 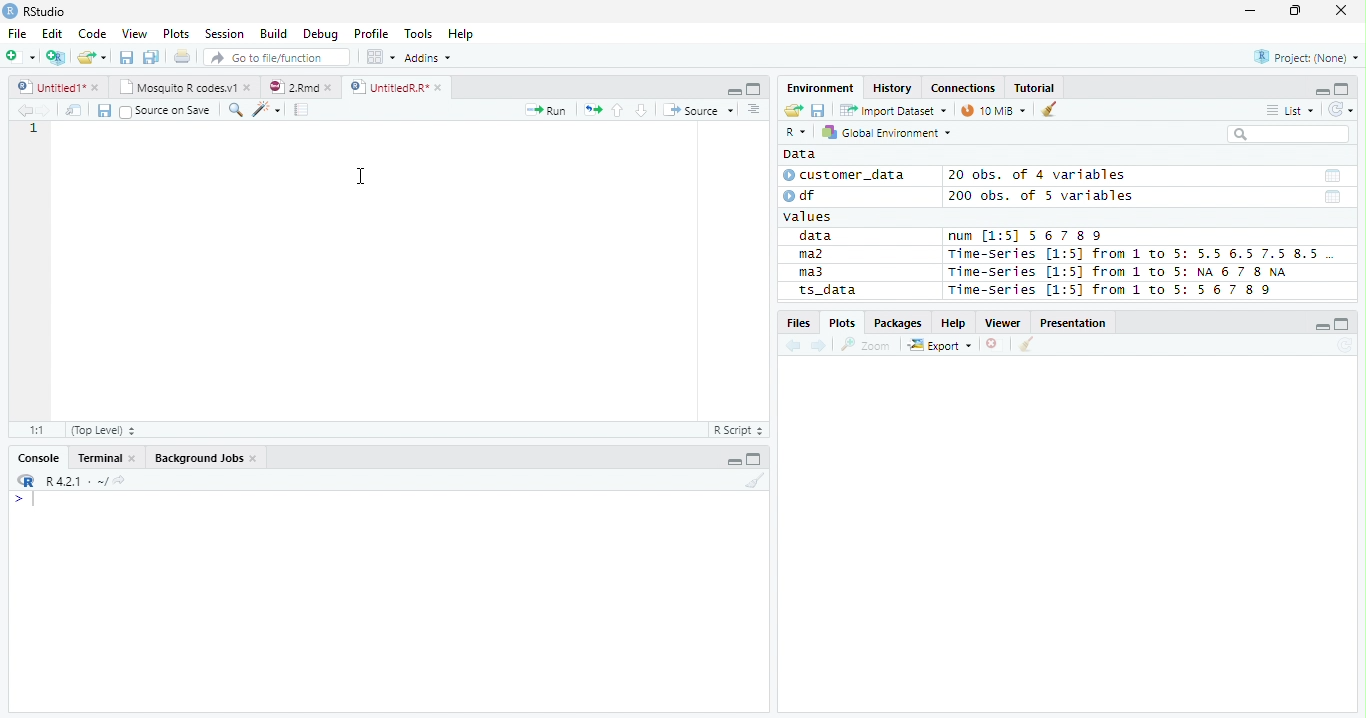 I want to click on ma3, so click(x=816, y=272).